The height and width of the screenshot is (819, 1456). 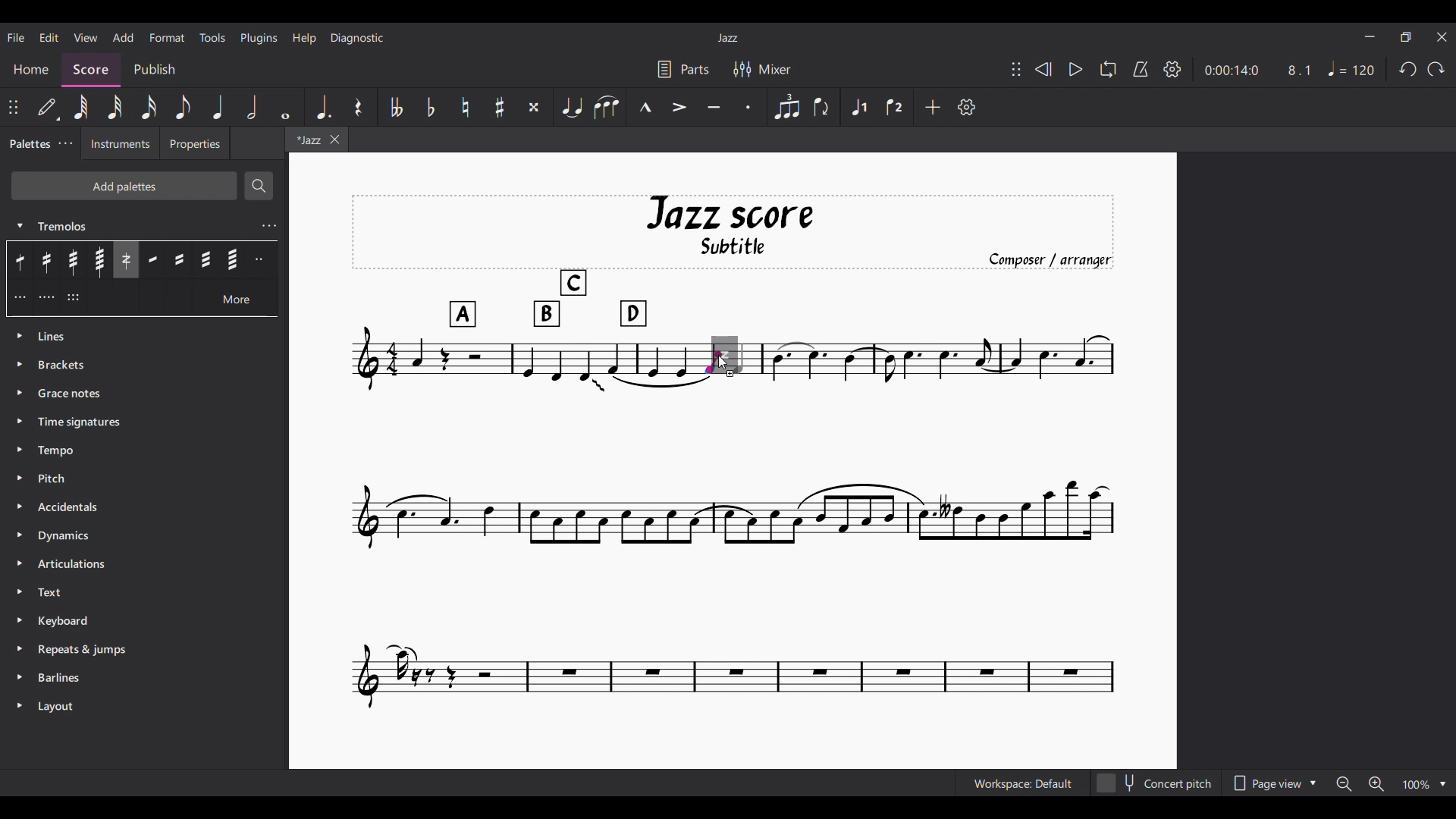 What do you see at coordinates (1424, 783) in the screenshot?
I see `Zoom options` at bounding box center [1424, 783].